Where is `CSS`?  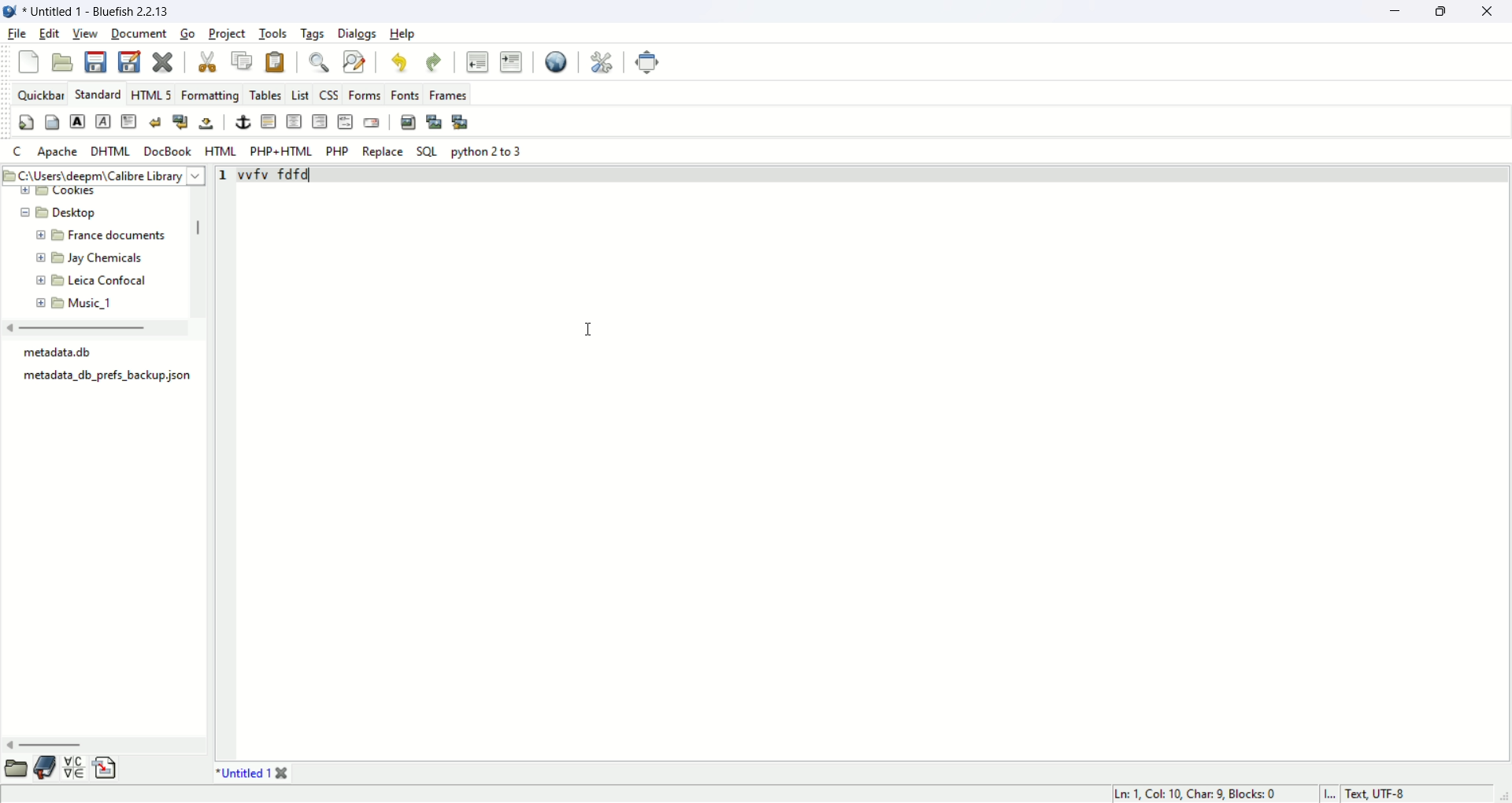
CSS is located at coordinates (329, 93).